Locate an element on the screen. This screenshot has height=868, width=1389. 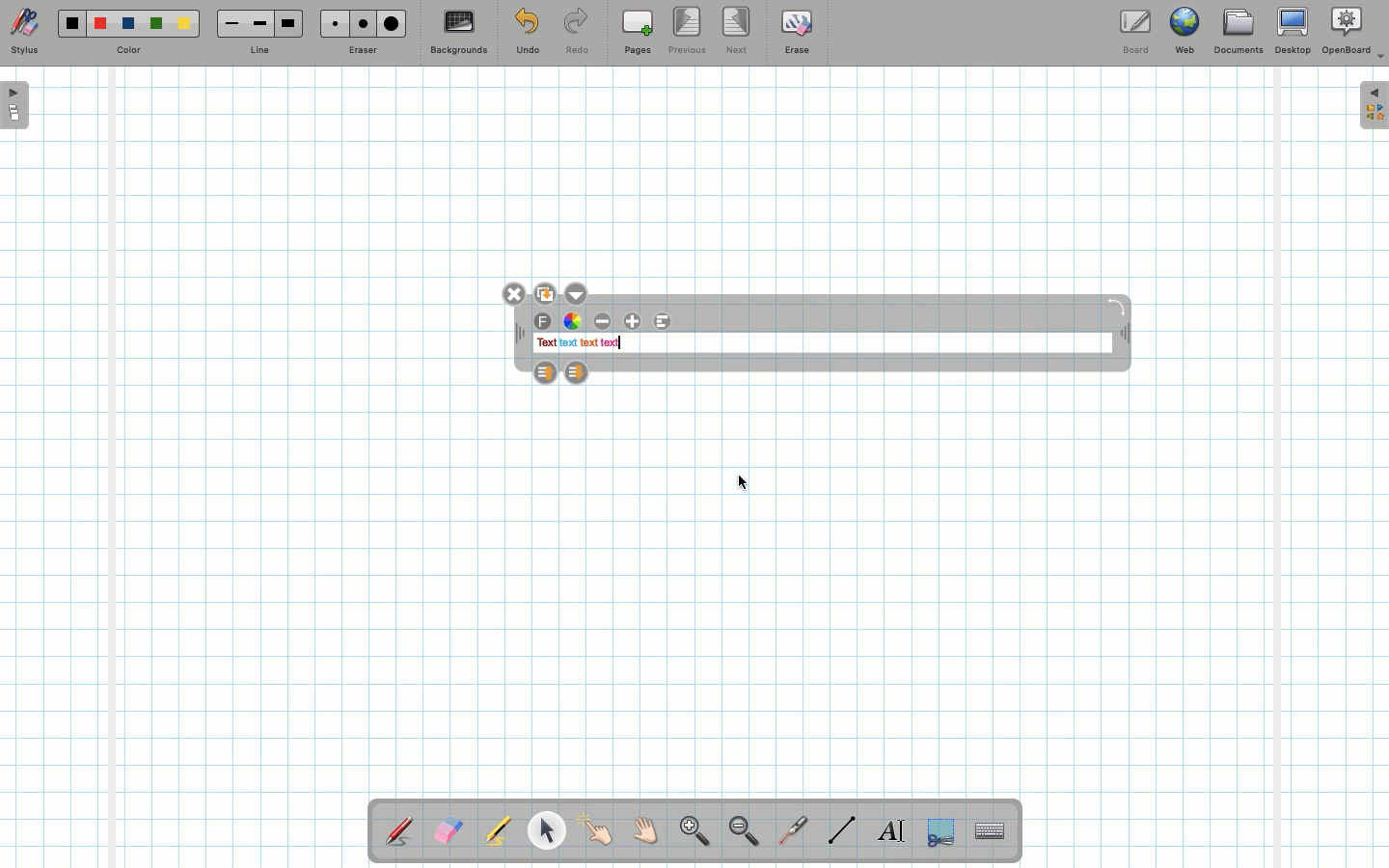
Pages is located at coordinates (638, 34).